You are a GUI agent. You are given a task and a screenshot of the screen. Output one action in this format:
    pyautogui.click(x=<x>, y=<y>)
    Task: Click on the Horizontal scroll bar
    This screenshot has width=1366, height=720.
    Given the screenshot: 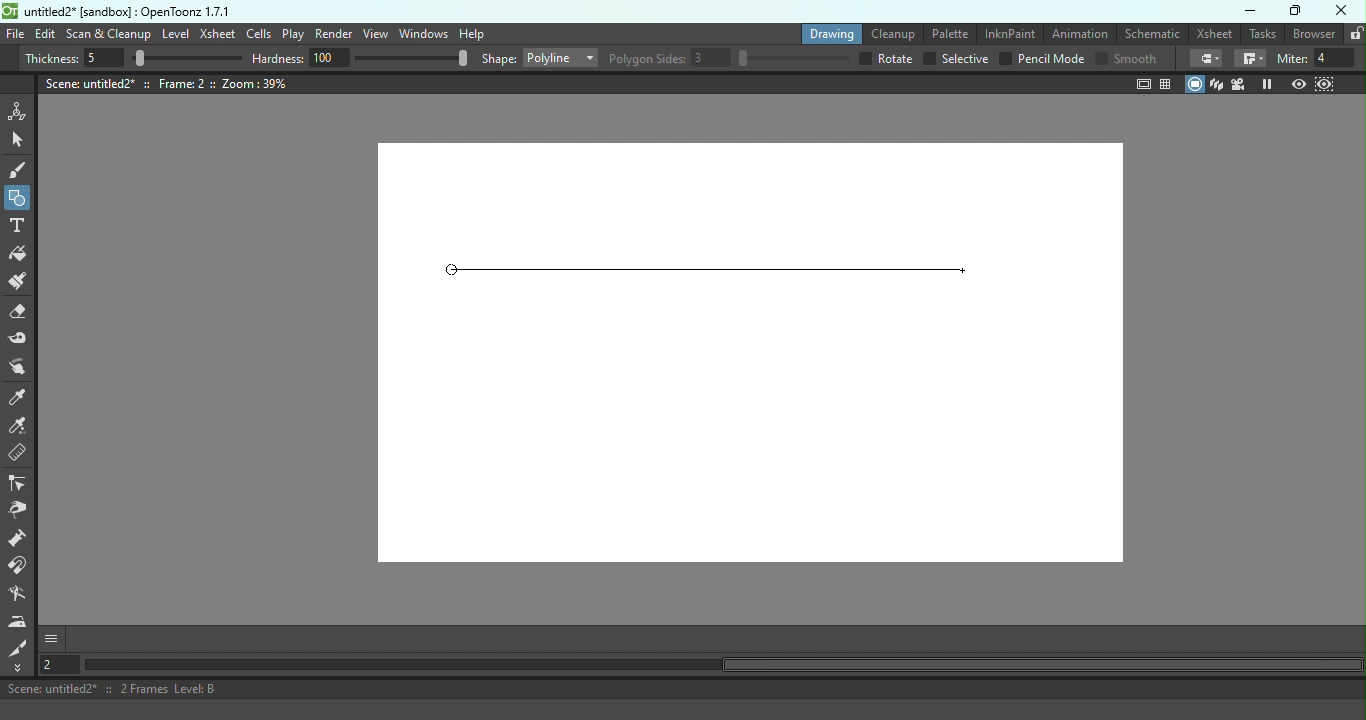 What is the action you would take?
    pyautogui.click(x=722, y=665)
    